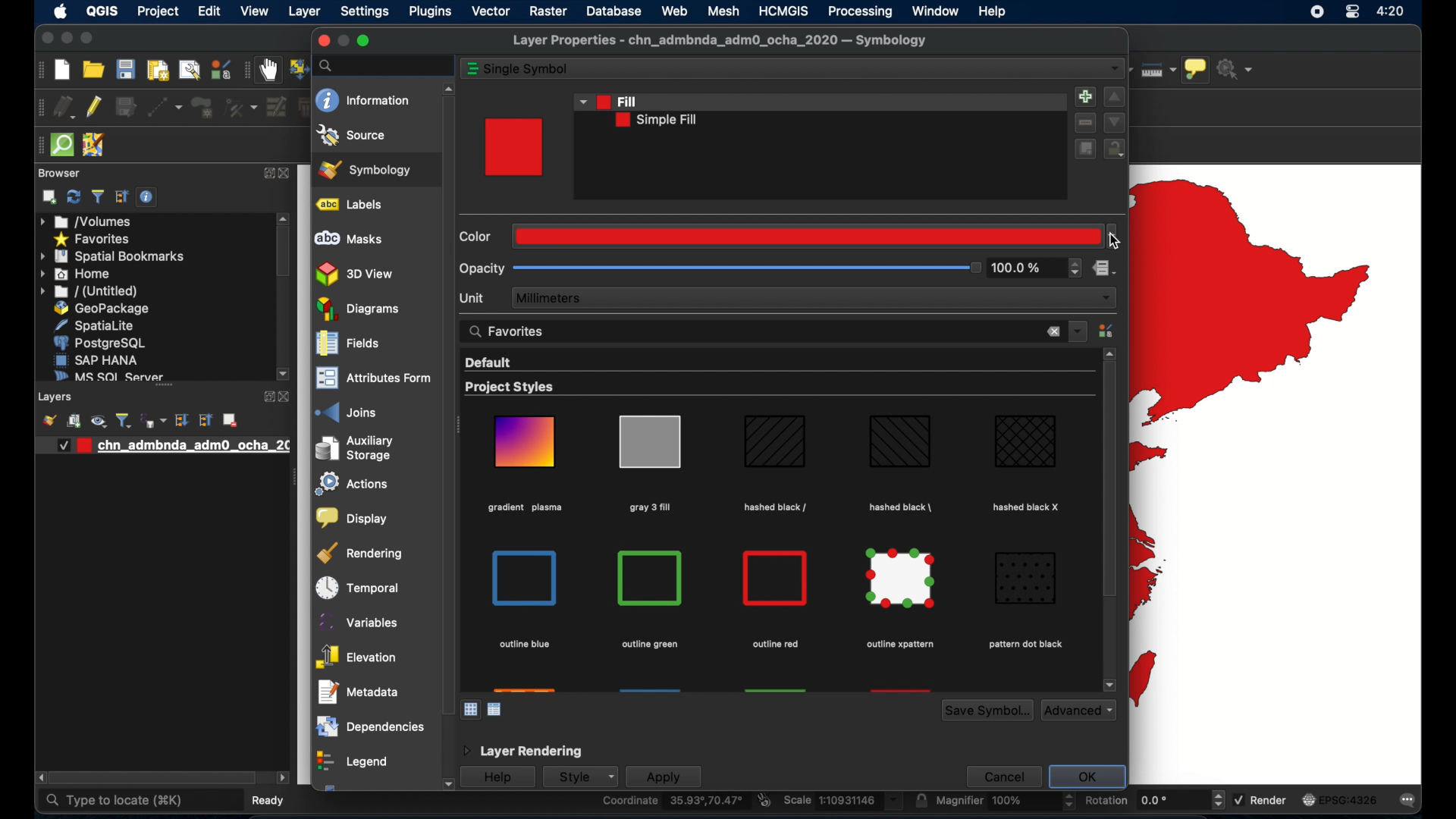 Image resolution: width=1456 pixels, height=819 pixels. I want to click on collapse, so click(204, 420).